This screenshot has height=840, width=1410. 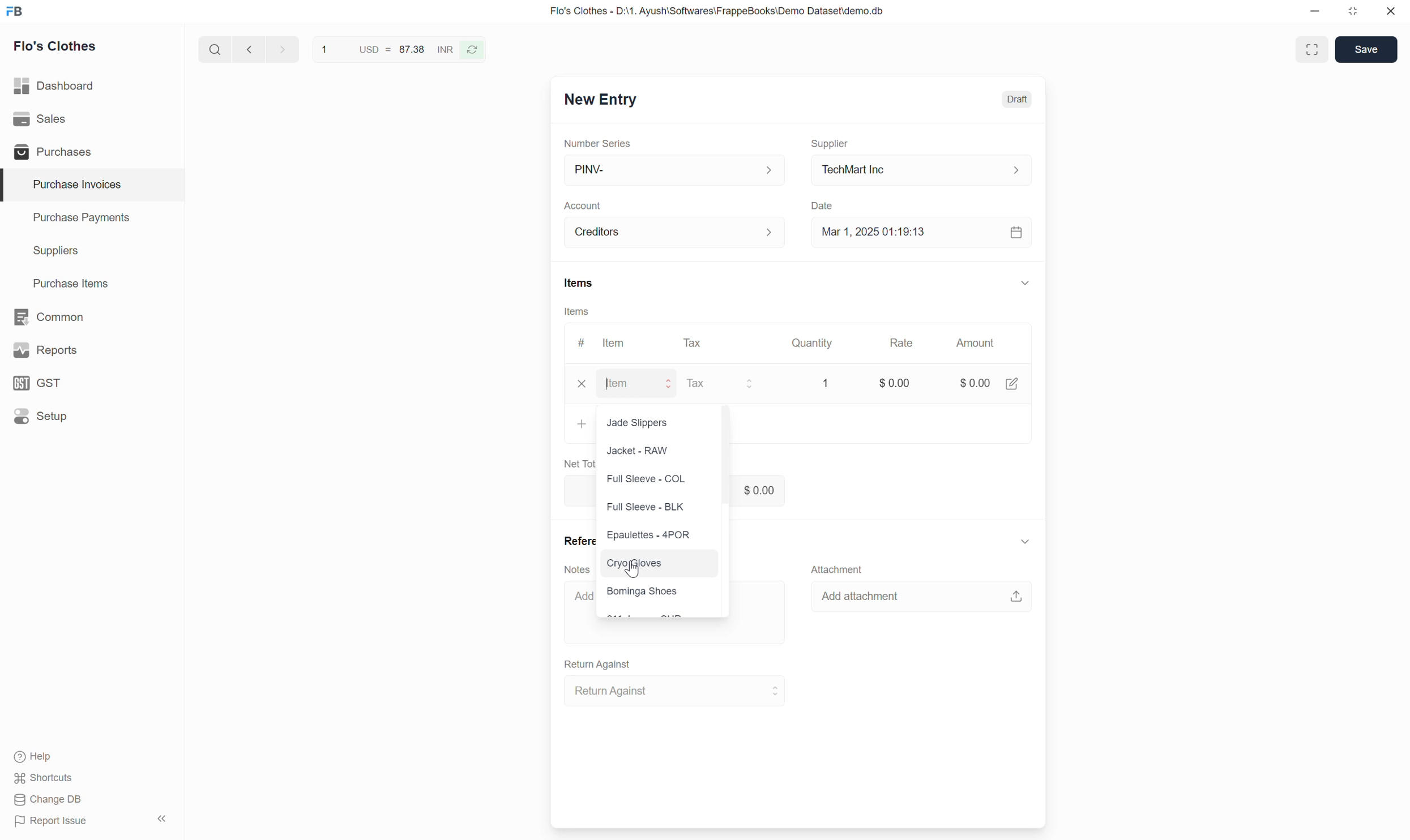 I want to click on Purchase Invoices, so click(x=70, y=185).